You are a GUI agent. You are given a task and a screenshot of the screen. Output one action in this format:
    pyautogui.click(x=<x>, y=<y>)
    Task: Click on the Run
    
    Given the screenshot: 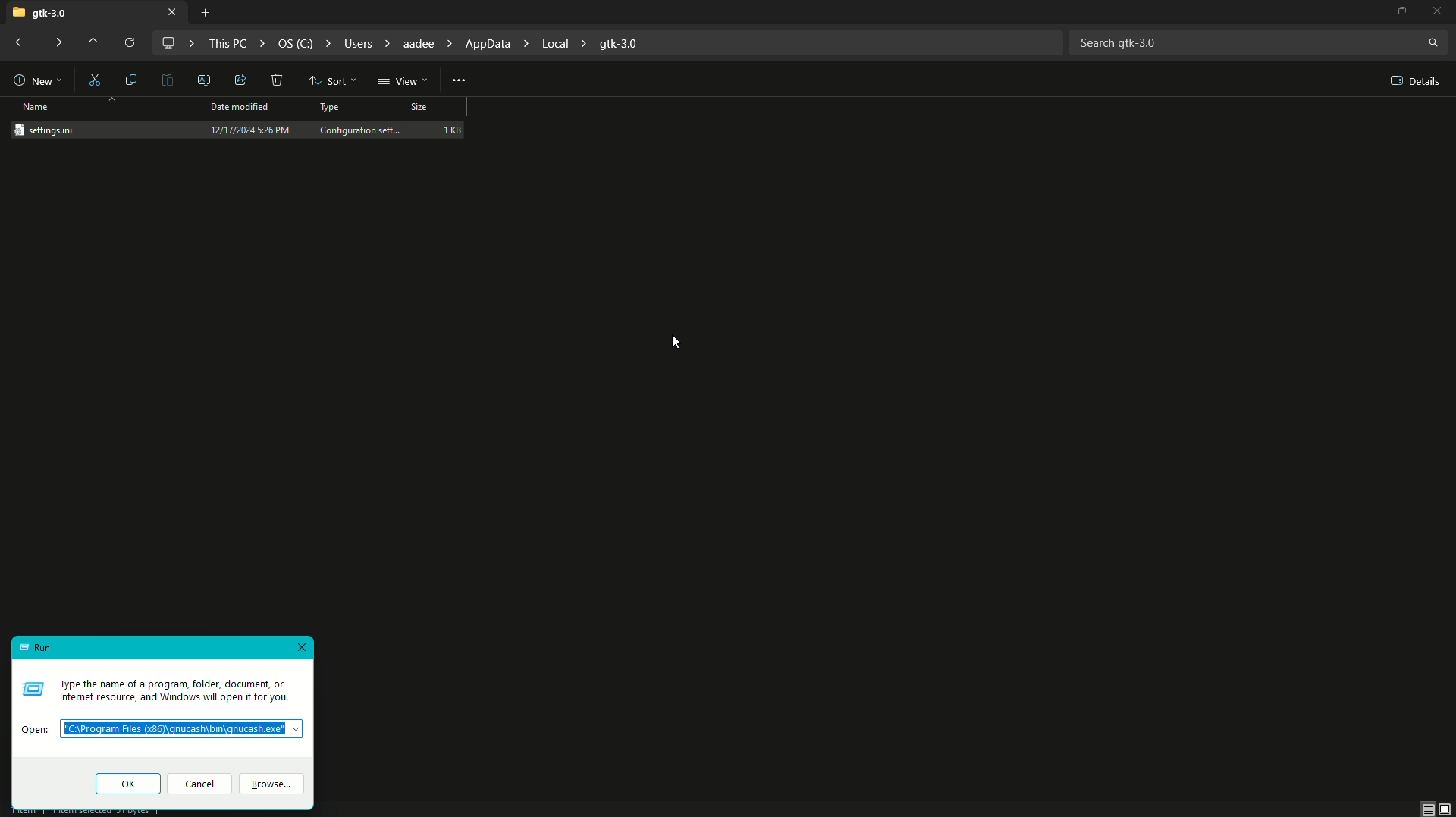 What is the action you would take?
    pyautogui.click(x=36, y=649)
    